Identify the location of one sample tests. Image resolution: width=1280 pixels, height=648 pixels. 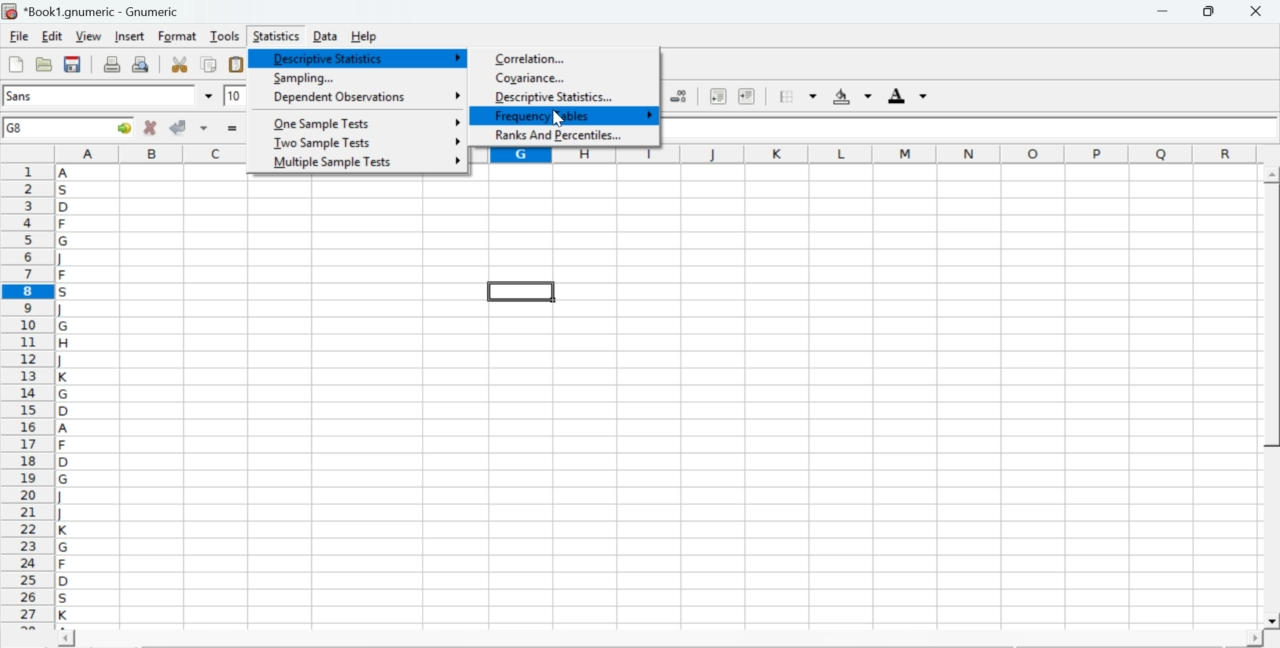
(324, 124).